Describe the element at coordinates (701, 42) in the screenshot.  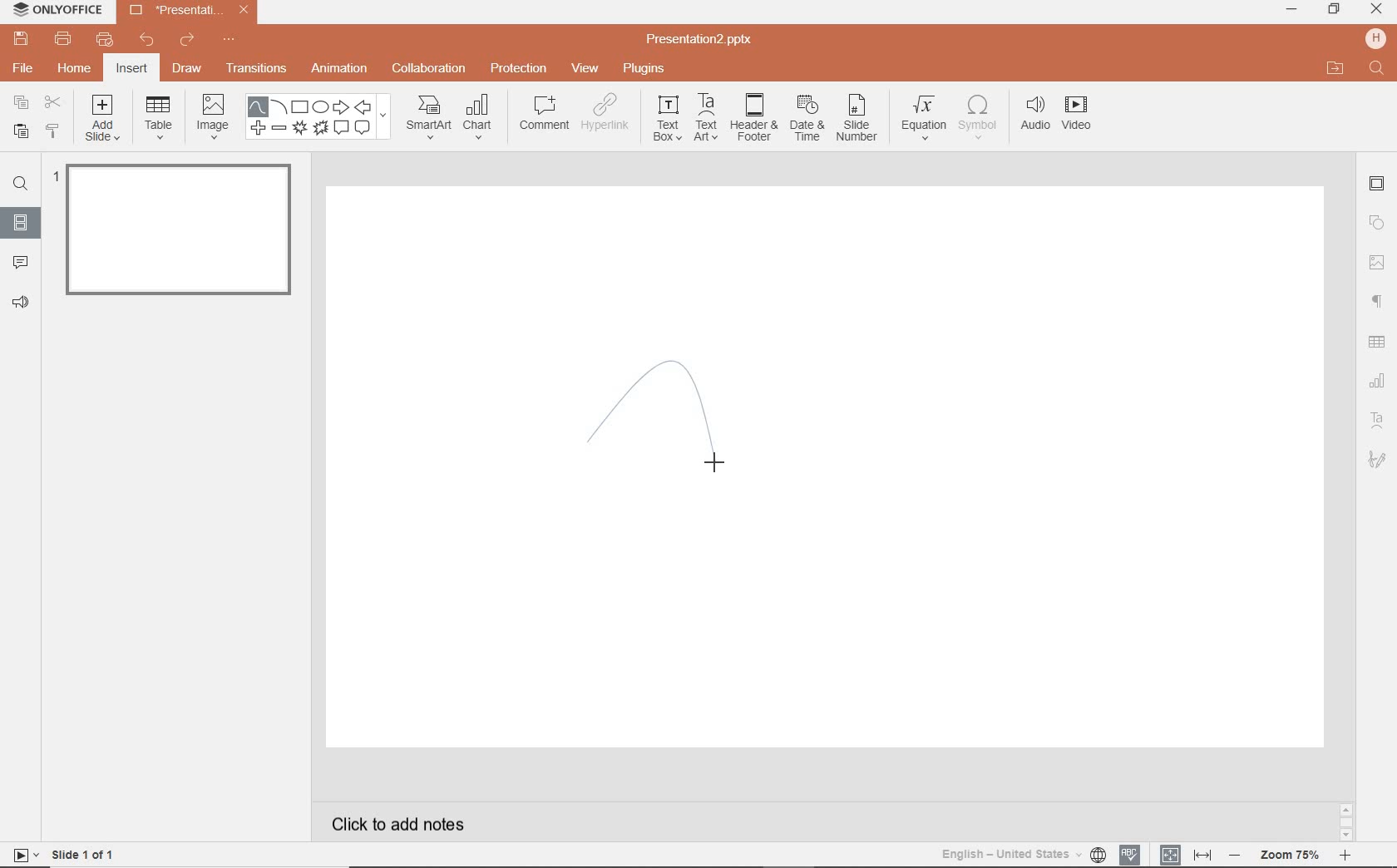
I see `Presentation2.pptx` at that location.